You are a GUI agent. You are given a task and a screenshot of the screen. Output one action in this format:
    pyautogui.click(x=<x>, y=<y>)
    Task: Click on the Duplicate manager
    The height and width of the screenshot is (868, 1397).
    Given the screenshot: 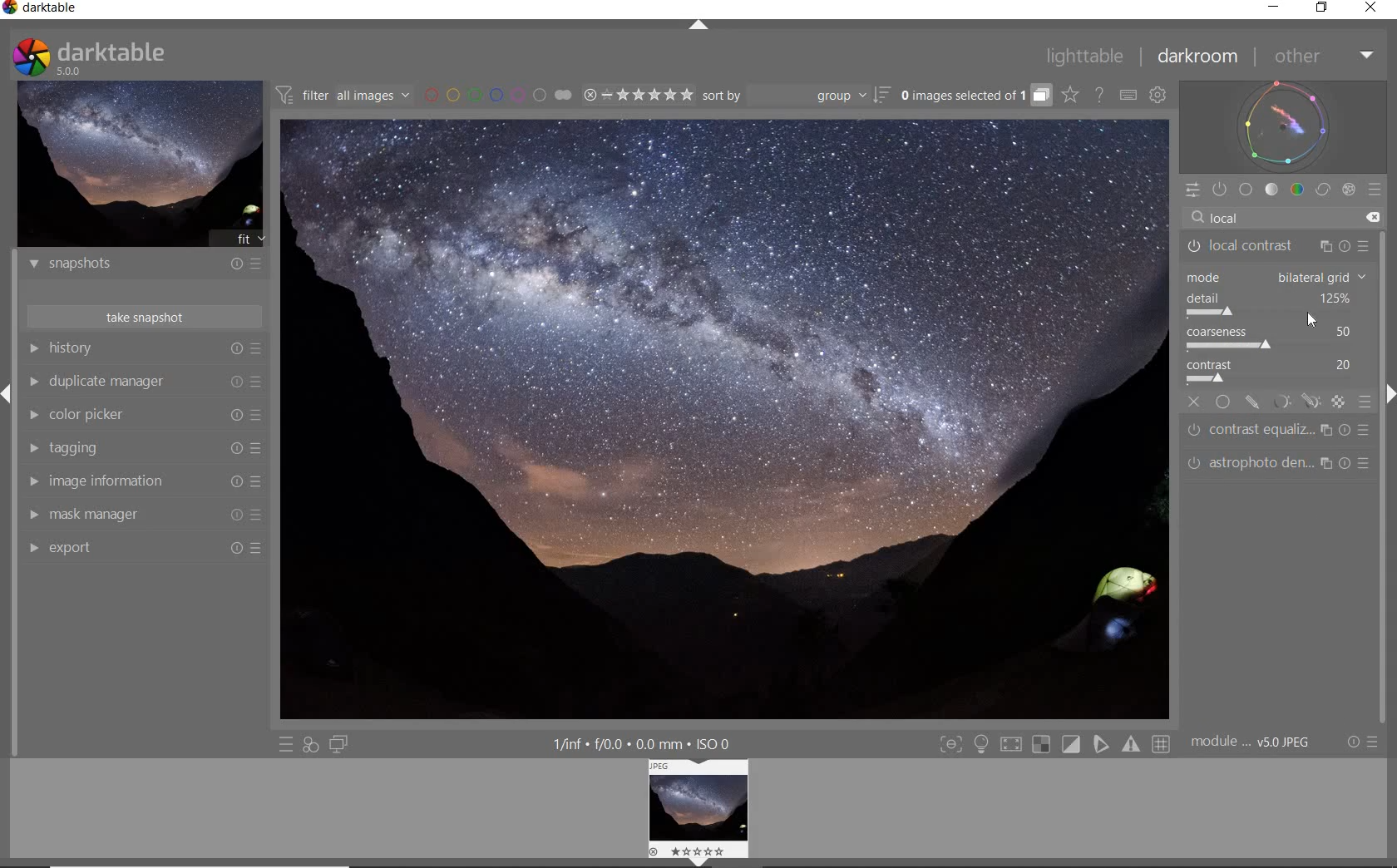 What is the action you would take?
    pyautogui.click(x=111, y=379)
    